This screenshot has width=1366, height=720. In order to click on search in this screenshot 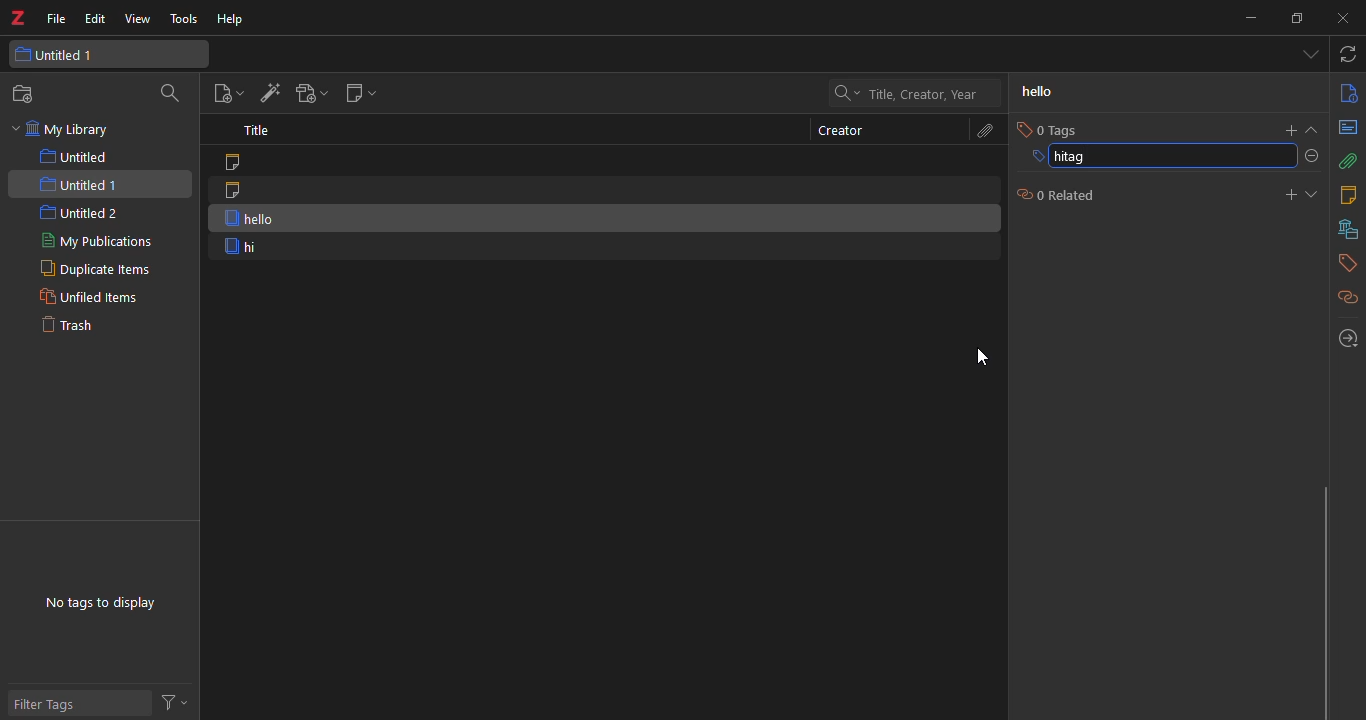, I will do `click(917, 93)`.